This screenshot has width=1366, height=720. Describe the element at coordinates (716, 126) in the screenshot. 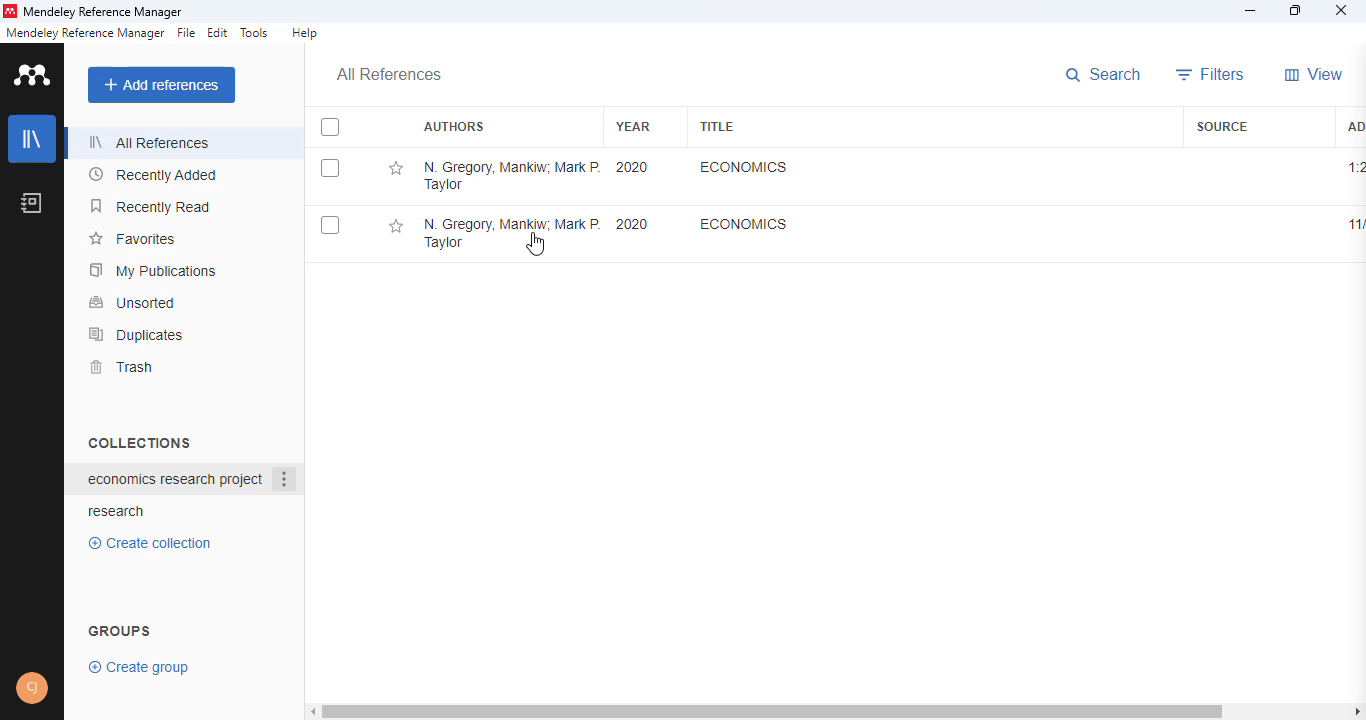

I see `title` at that location.